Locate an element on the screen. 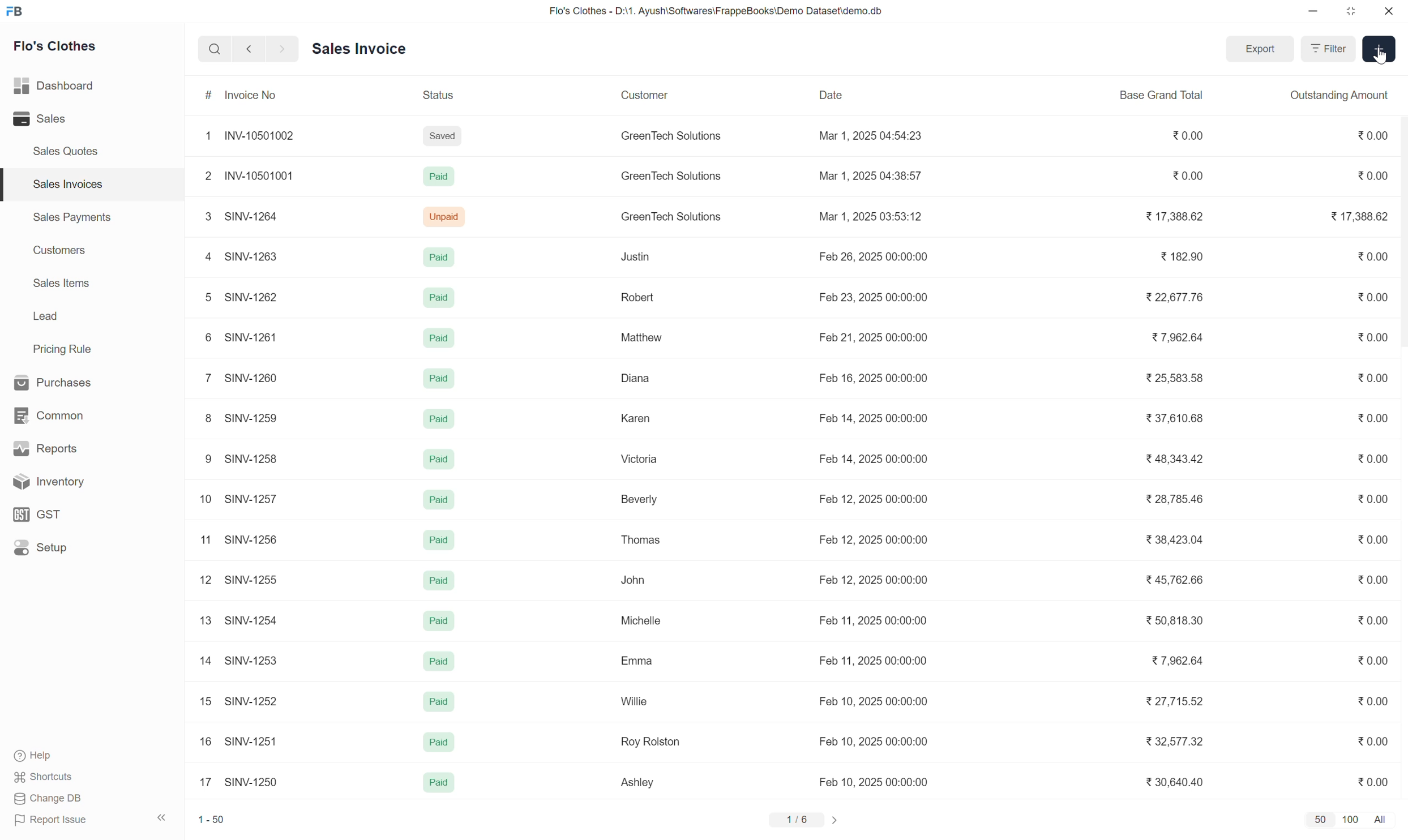  # is located at coordinates (204, 97).